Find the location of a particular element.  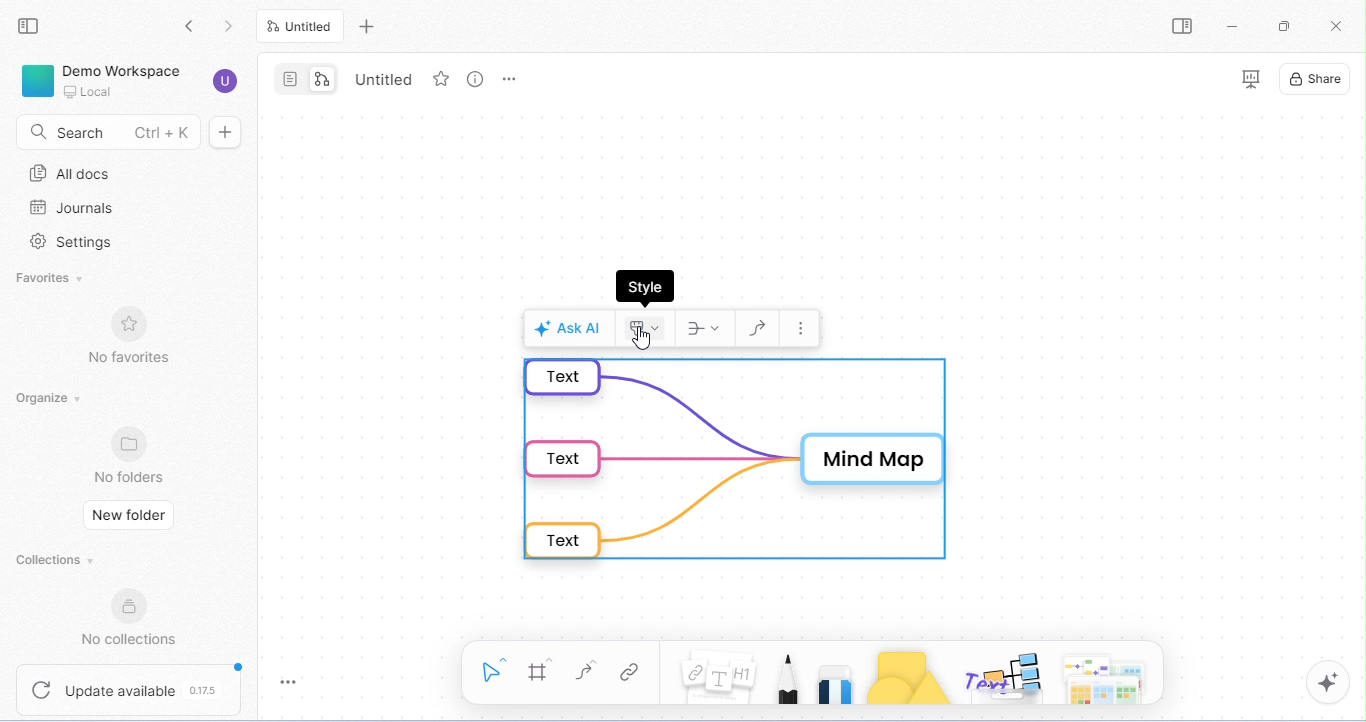

note is located at coordinates (716, 672).